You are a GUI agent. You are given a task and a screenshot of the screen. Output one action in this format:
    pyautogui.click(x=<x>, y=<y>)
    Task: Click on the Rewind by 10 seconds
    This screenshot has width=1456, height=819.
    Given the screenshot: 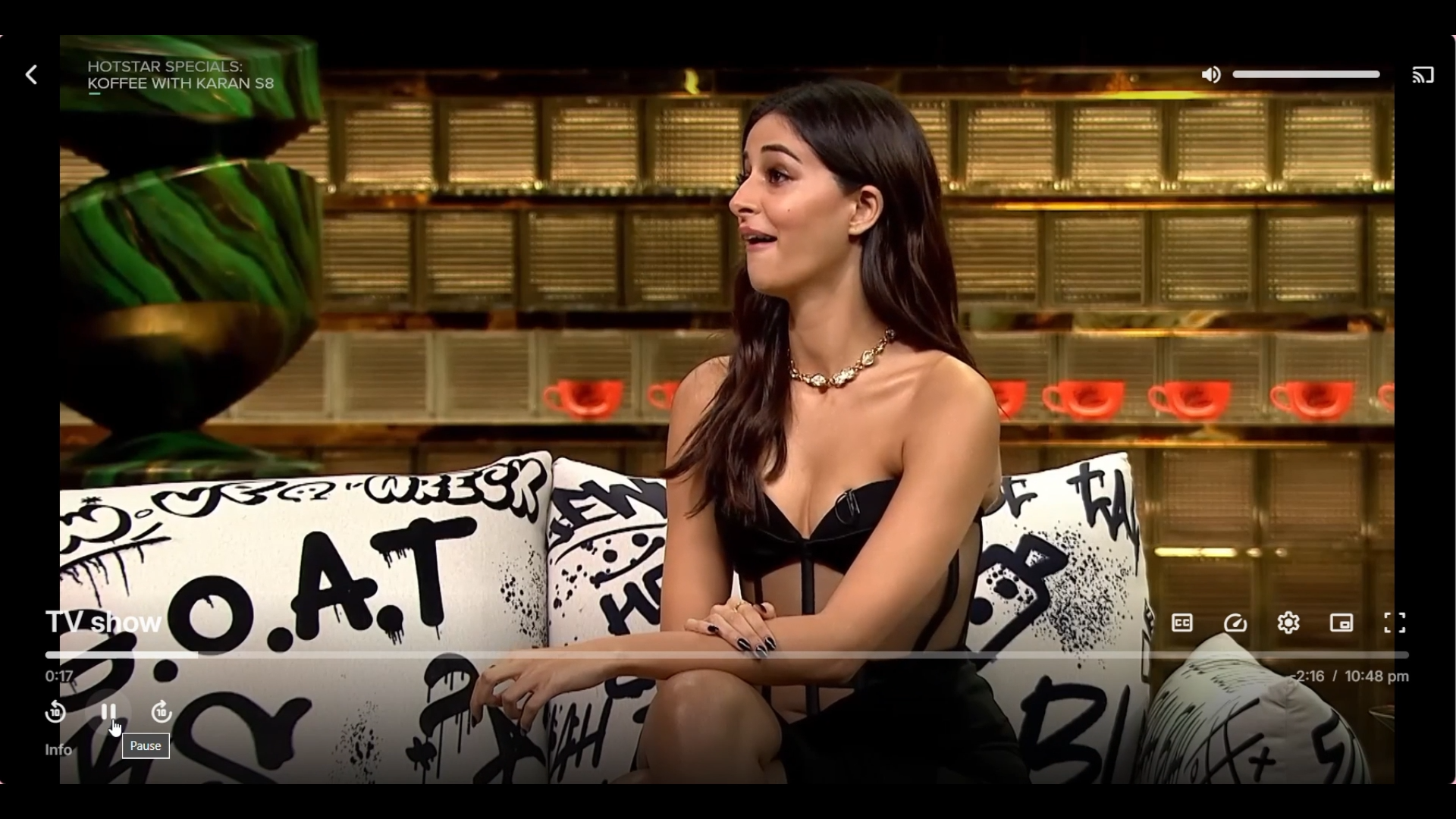 What is the action you would take?
    pyautogui.click(x=55, y=713)
    